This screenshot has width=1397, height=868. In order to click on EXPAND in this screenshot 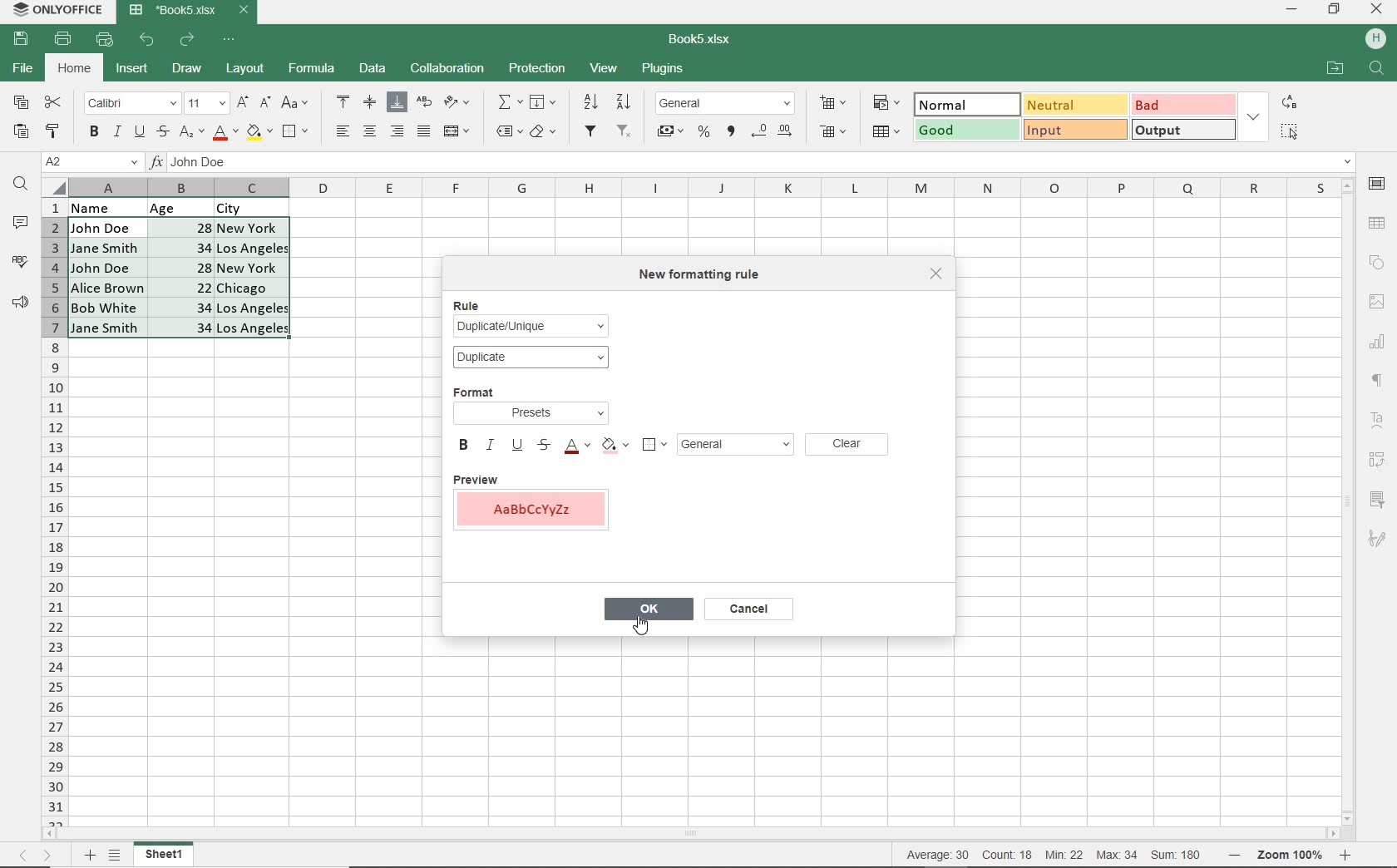, I will do `click(1253, 116)`.